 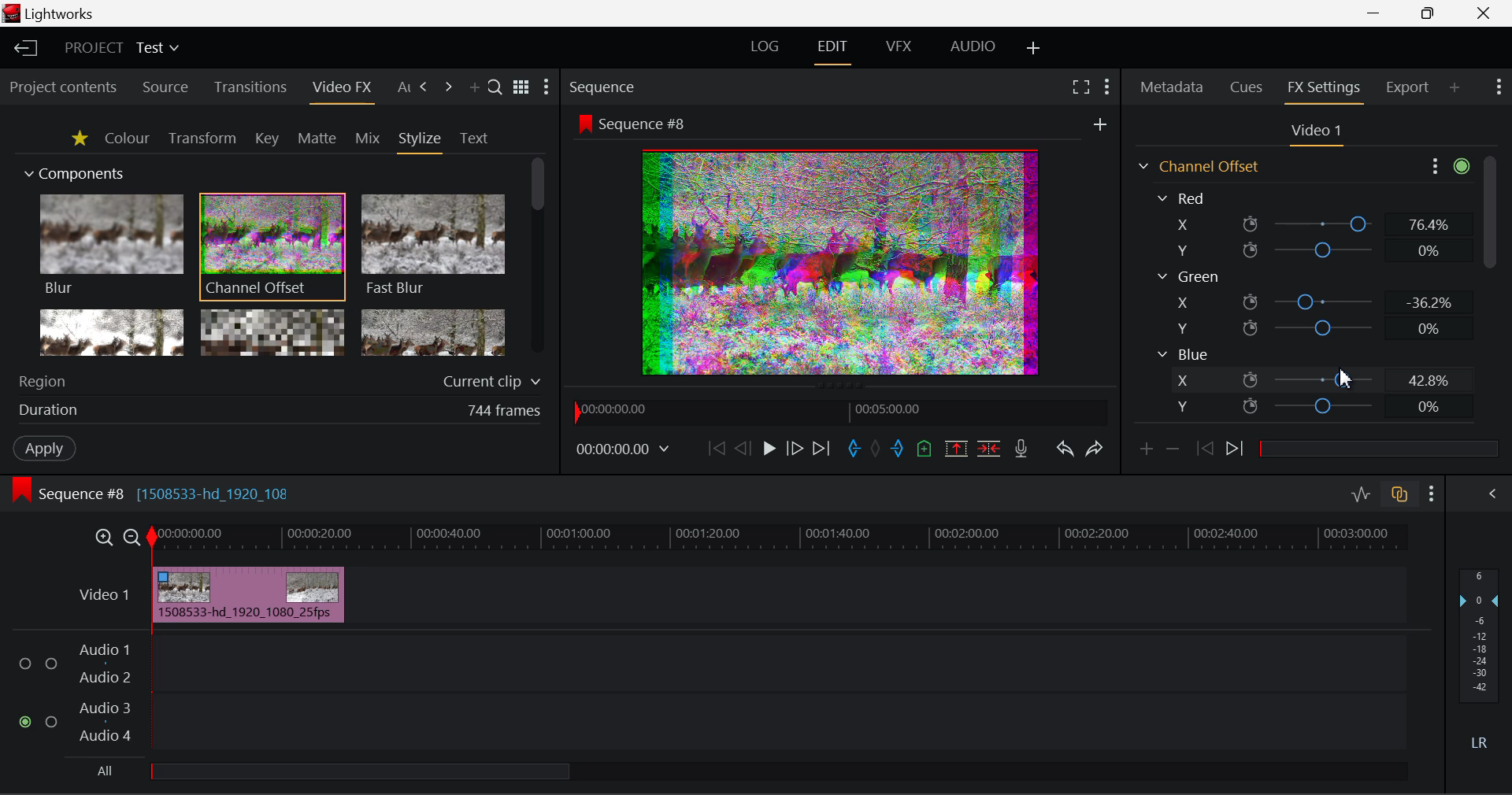 I want to click on Transitions, so click(x=249, y=87).